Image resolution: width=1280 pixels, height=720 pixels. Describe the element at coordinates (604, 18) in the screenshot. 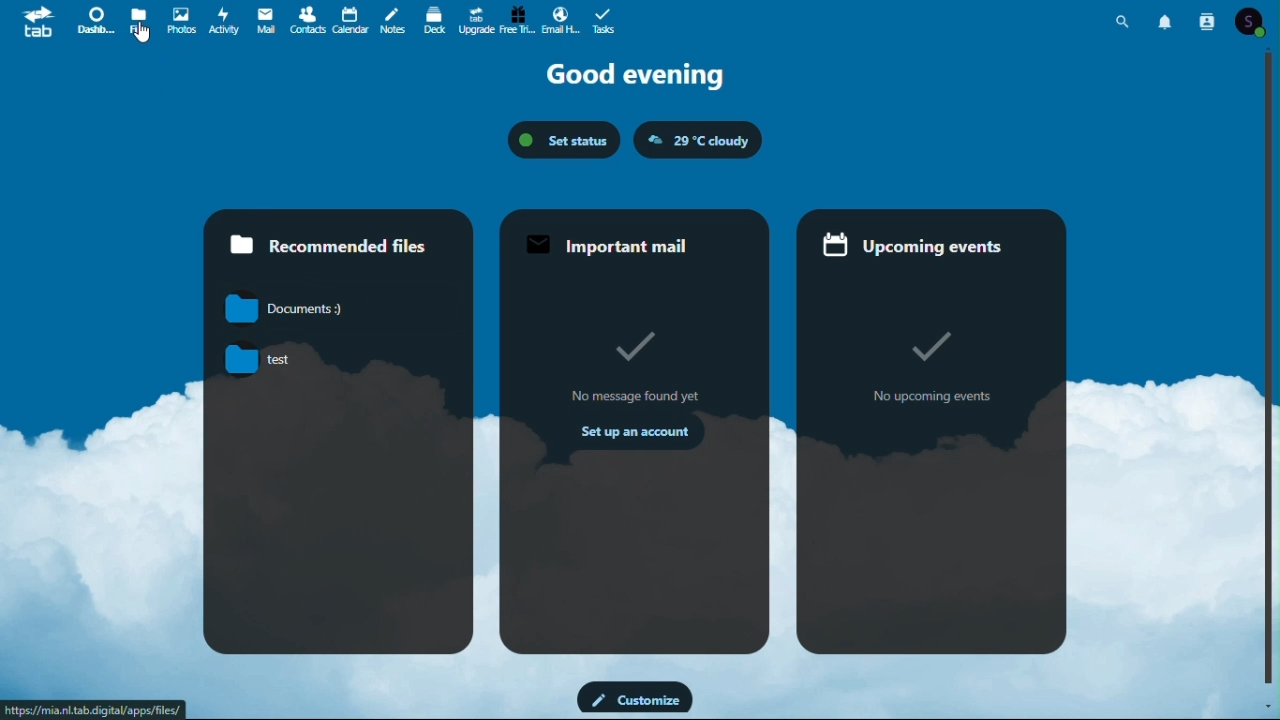

I see `Tasks` at that location.